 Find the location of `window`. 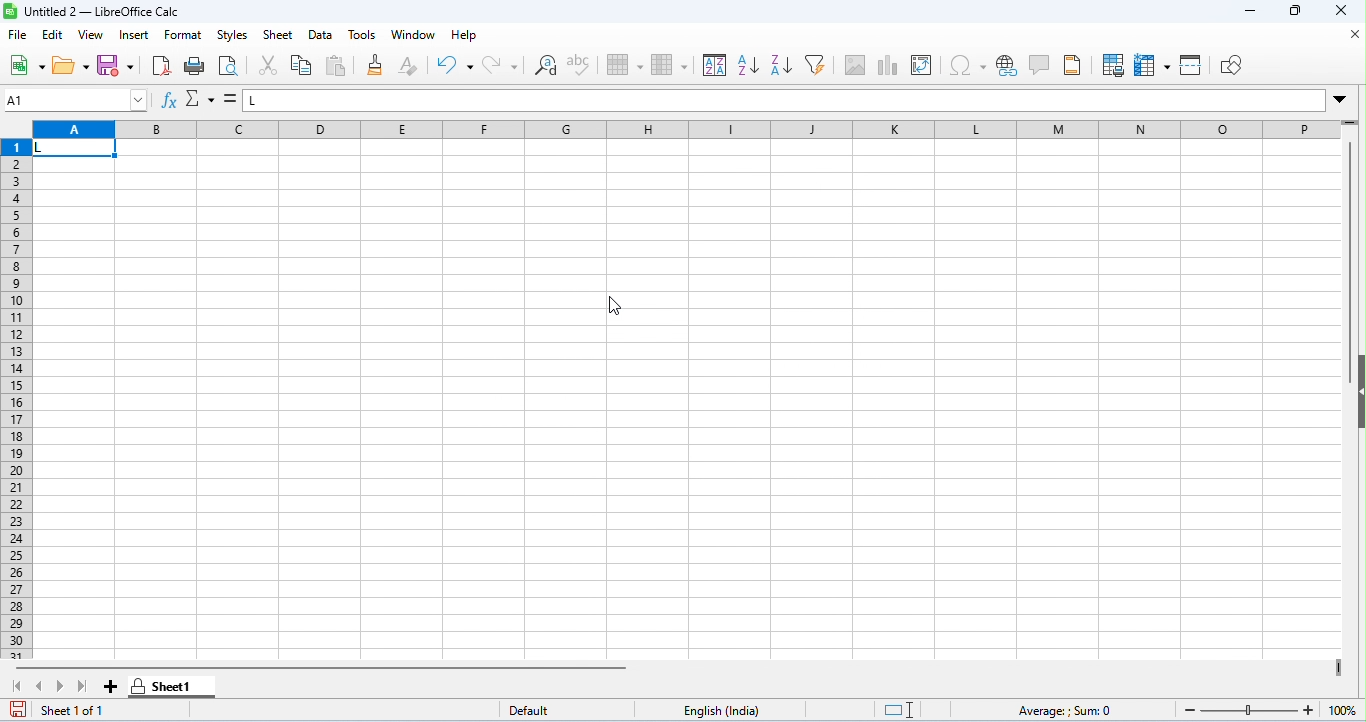

window is located at coordinates (412, 35).